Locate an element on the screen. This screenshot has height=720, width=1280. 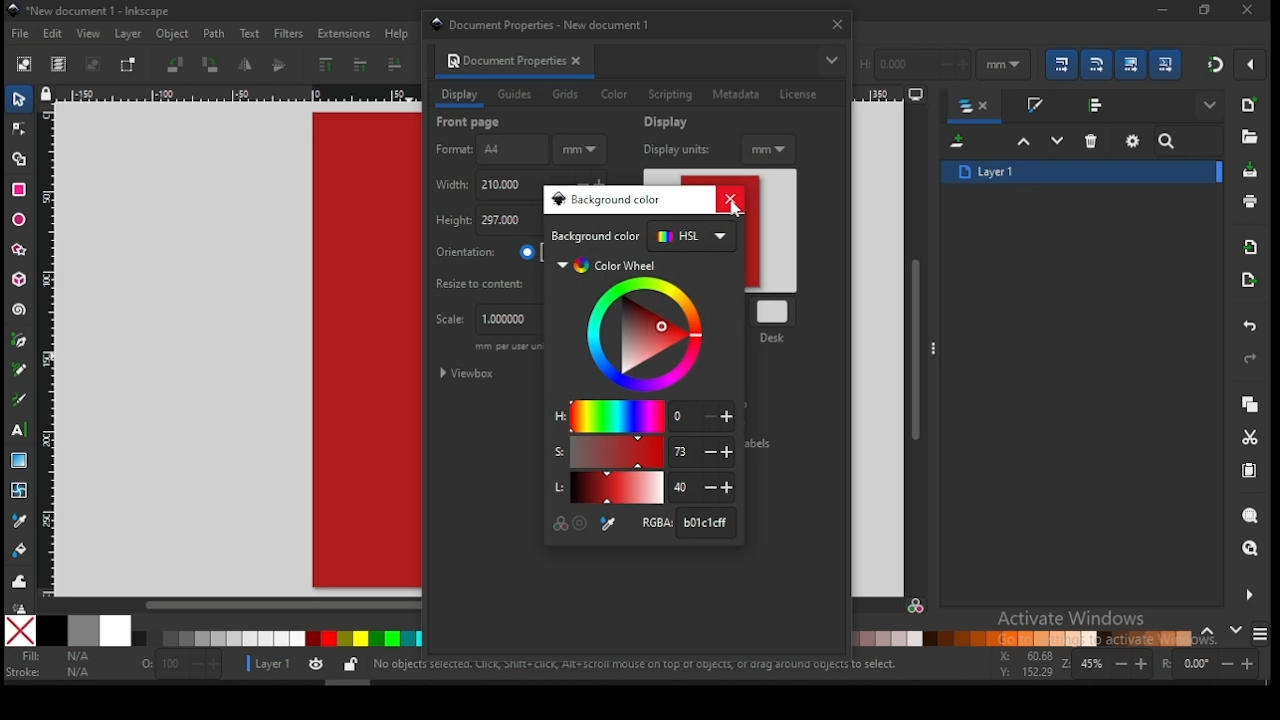
deselect is located at coordinates (90, 65).